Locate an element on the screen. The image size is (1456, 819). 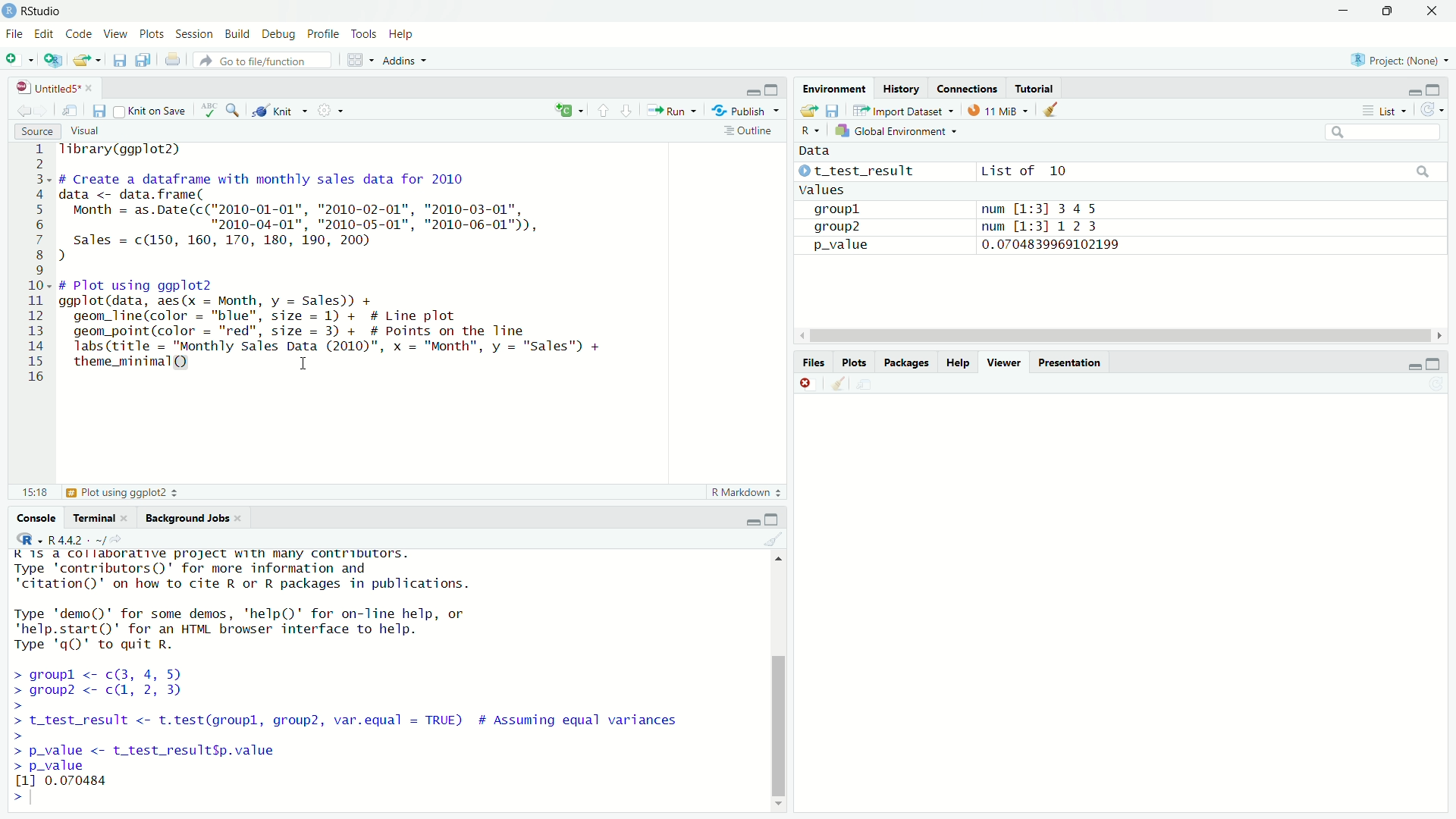
search is located at coordinates (1420, 171).